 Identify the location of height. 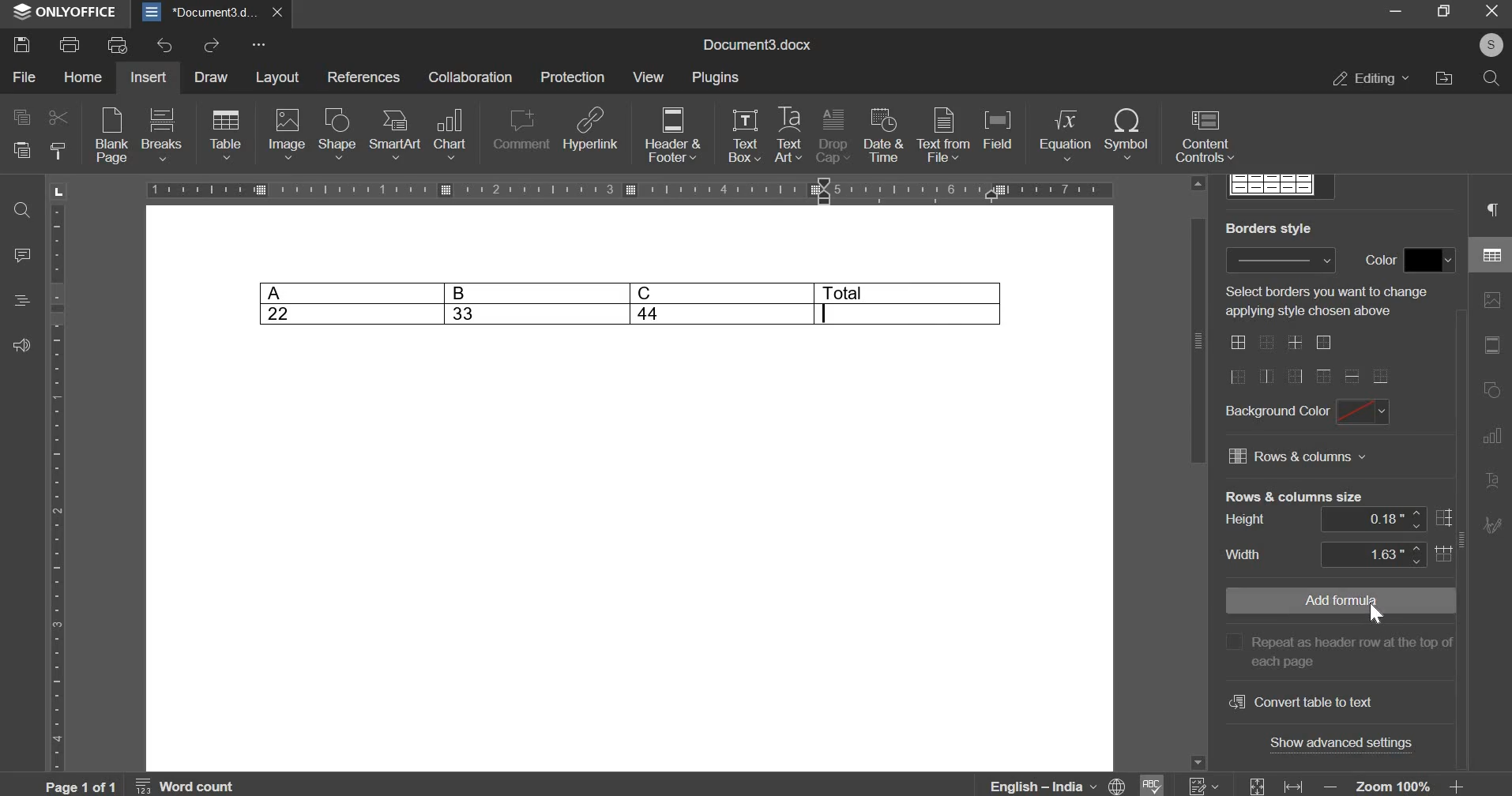
(1246, 520).